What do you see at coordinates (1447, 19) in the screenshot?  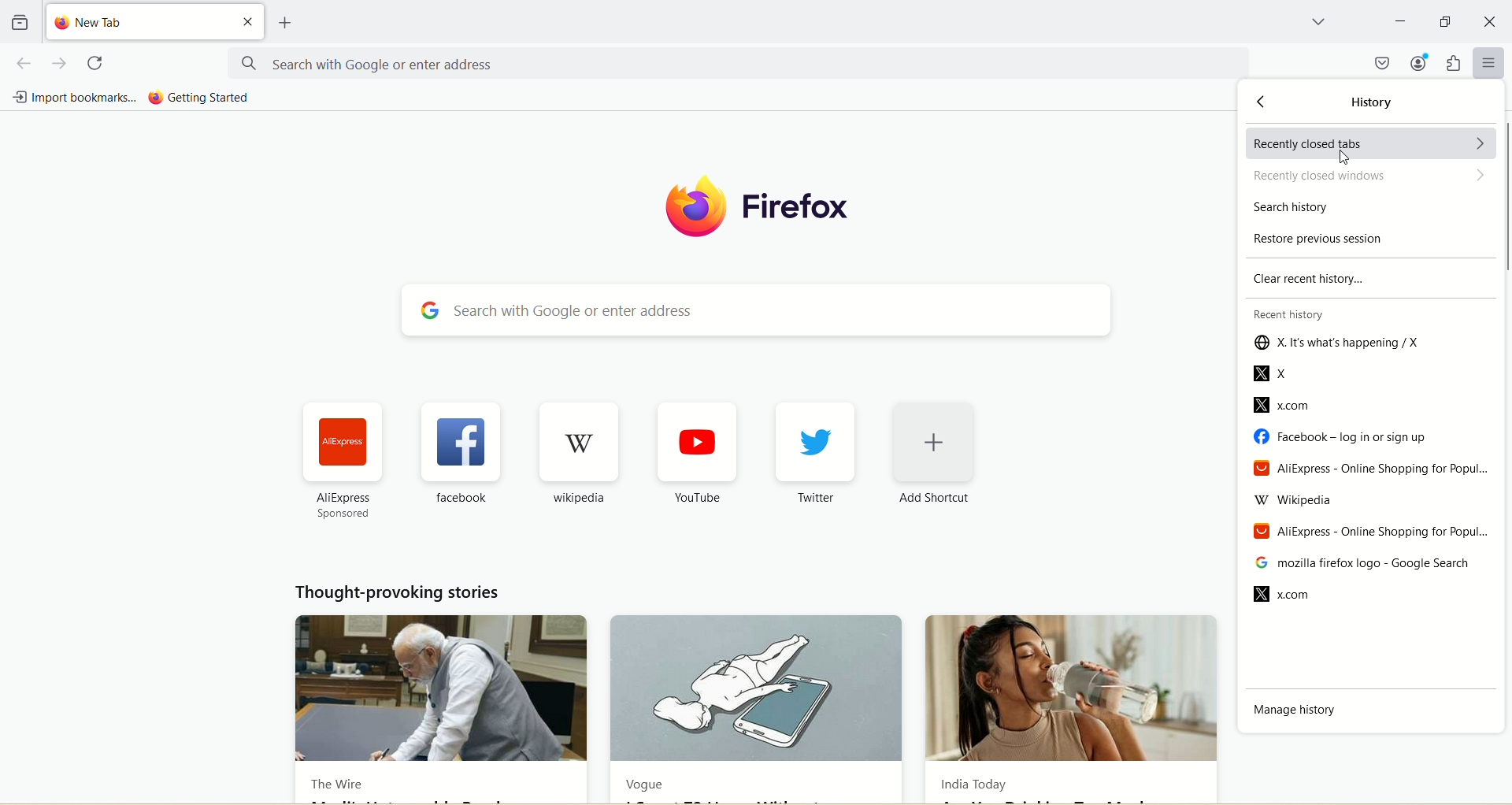 I see `maximize` at bounding box center [1447, 19].